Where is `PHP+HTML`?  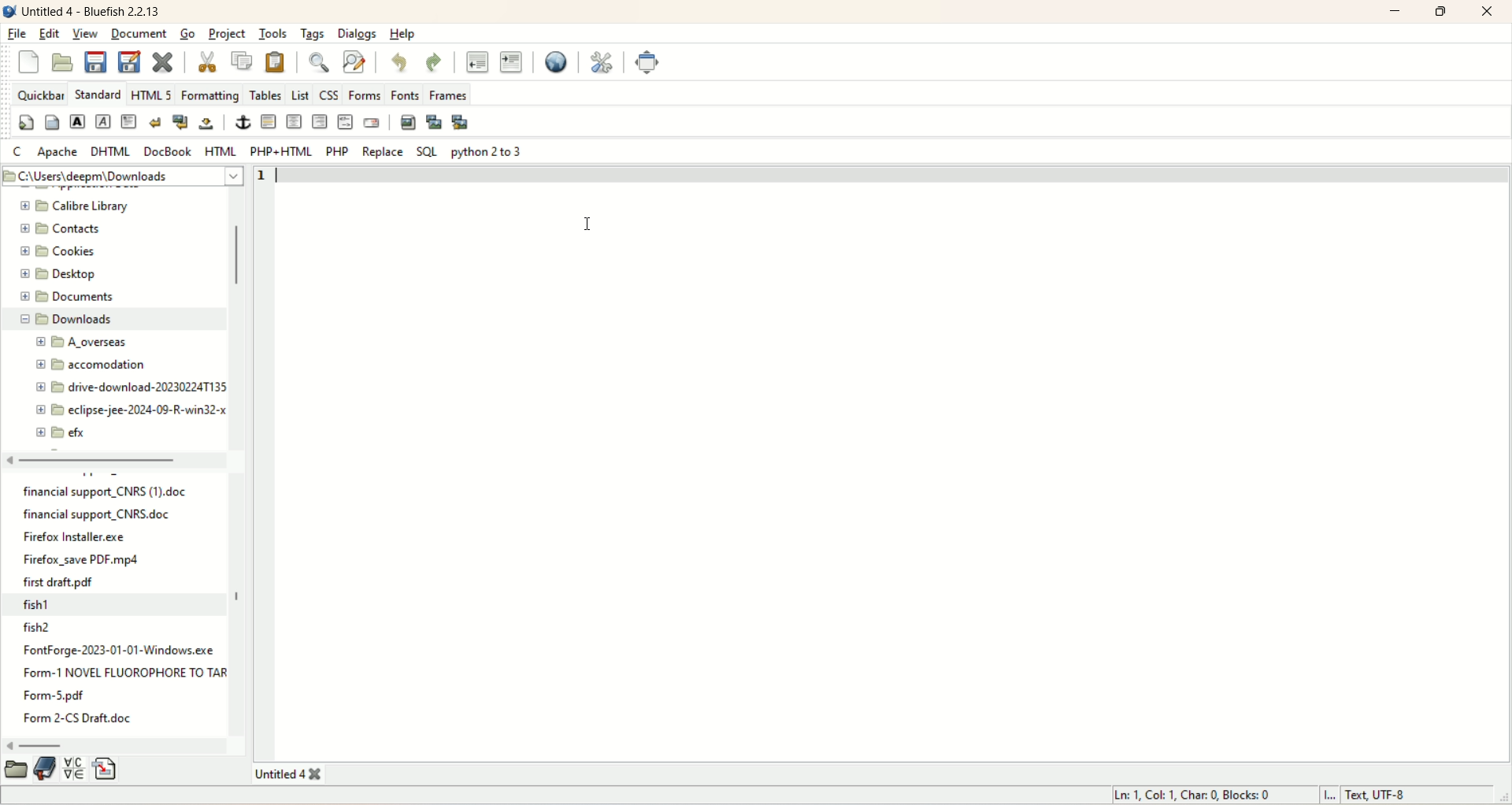 PHP+HTML is located at coordinates (280, 150).